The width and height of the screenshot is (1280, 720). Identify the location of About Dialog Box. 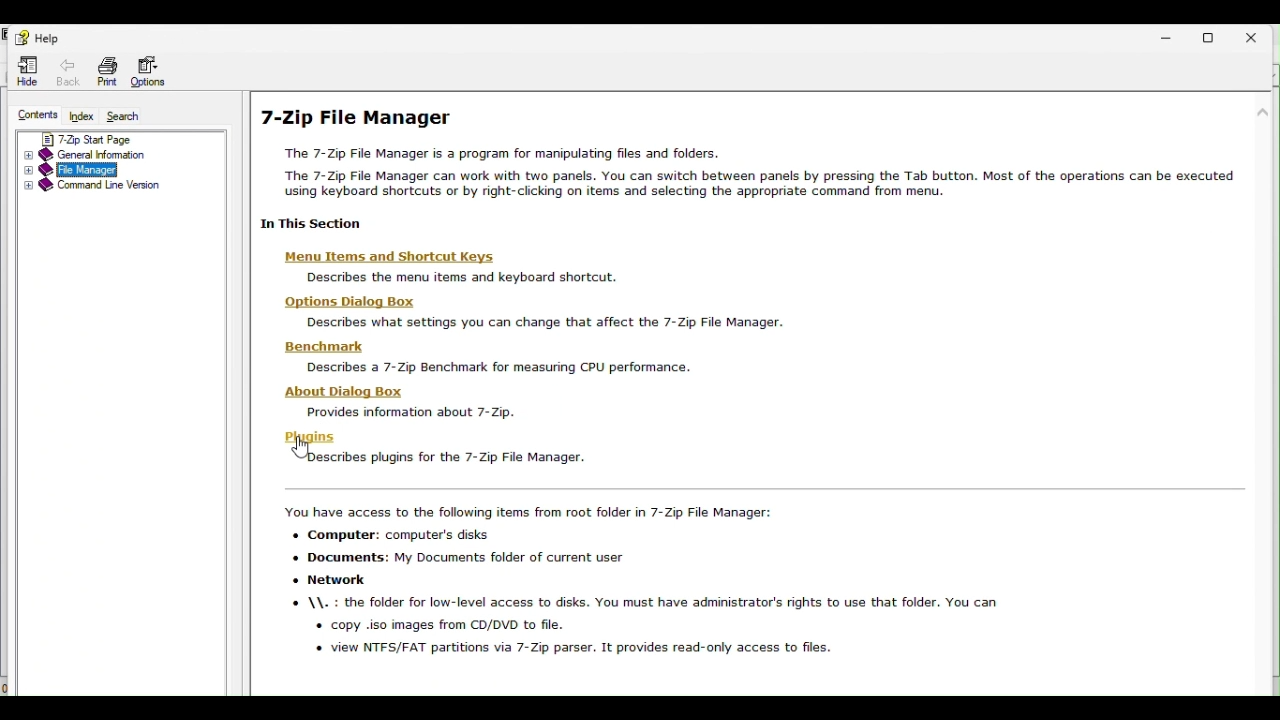
(347, 393).